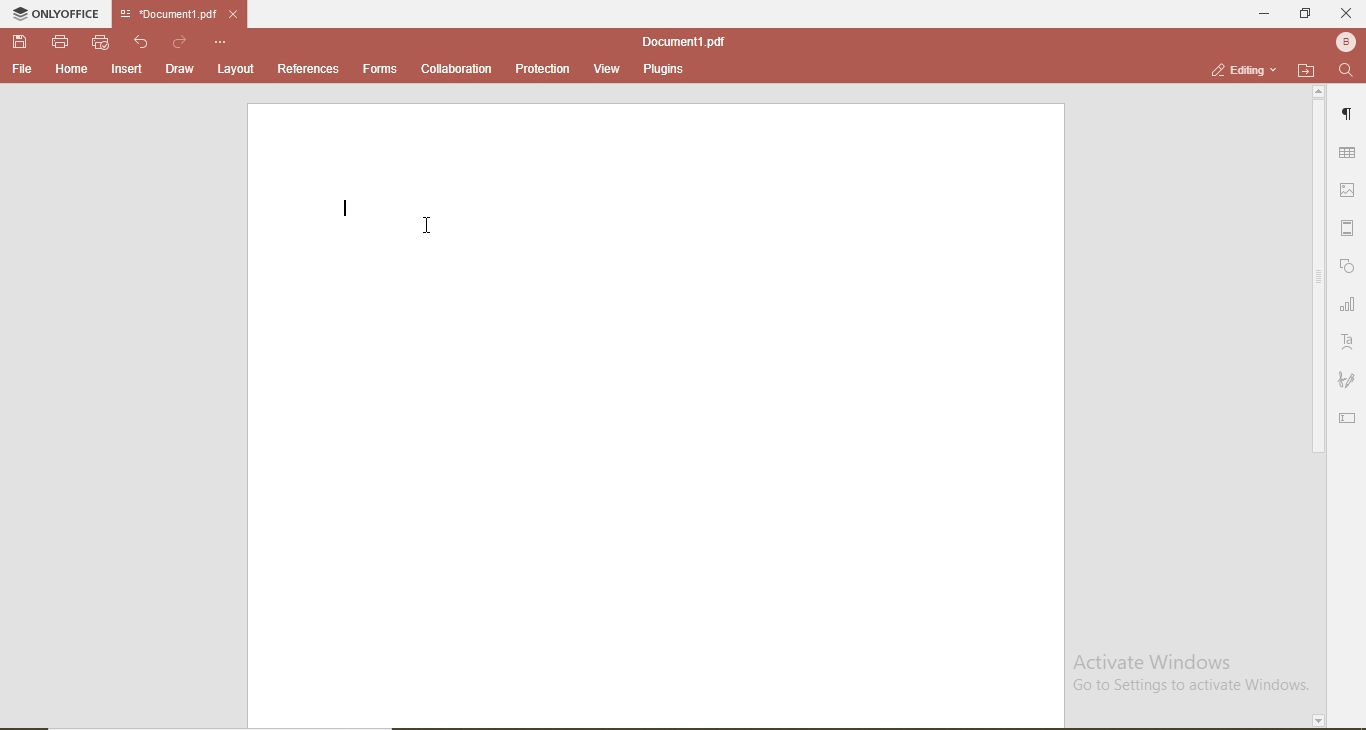 The height and width of the screenshot is (730, 1366). I want to click on paragraph, so click(1350, 109).